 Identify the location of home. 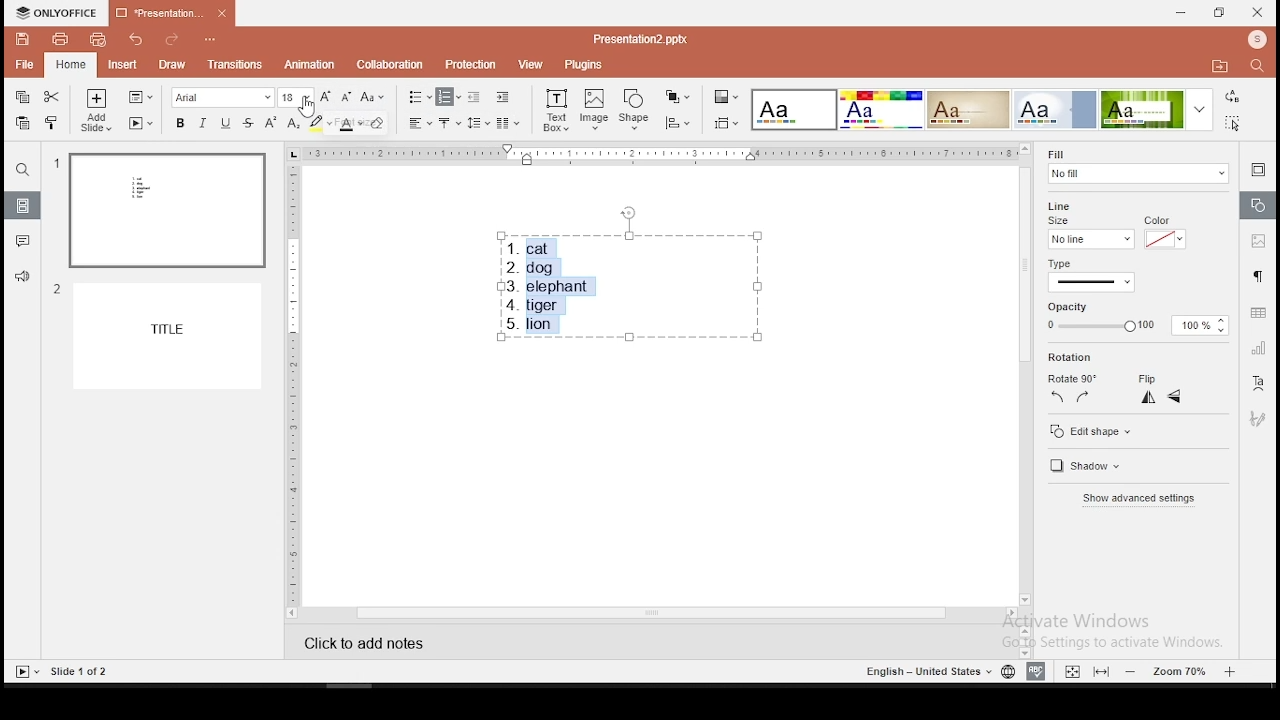
(69, 62).